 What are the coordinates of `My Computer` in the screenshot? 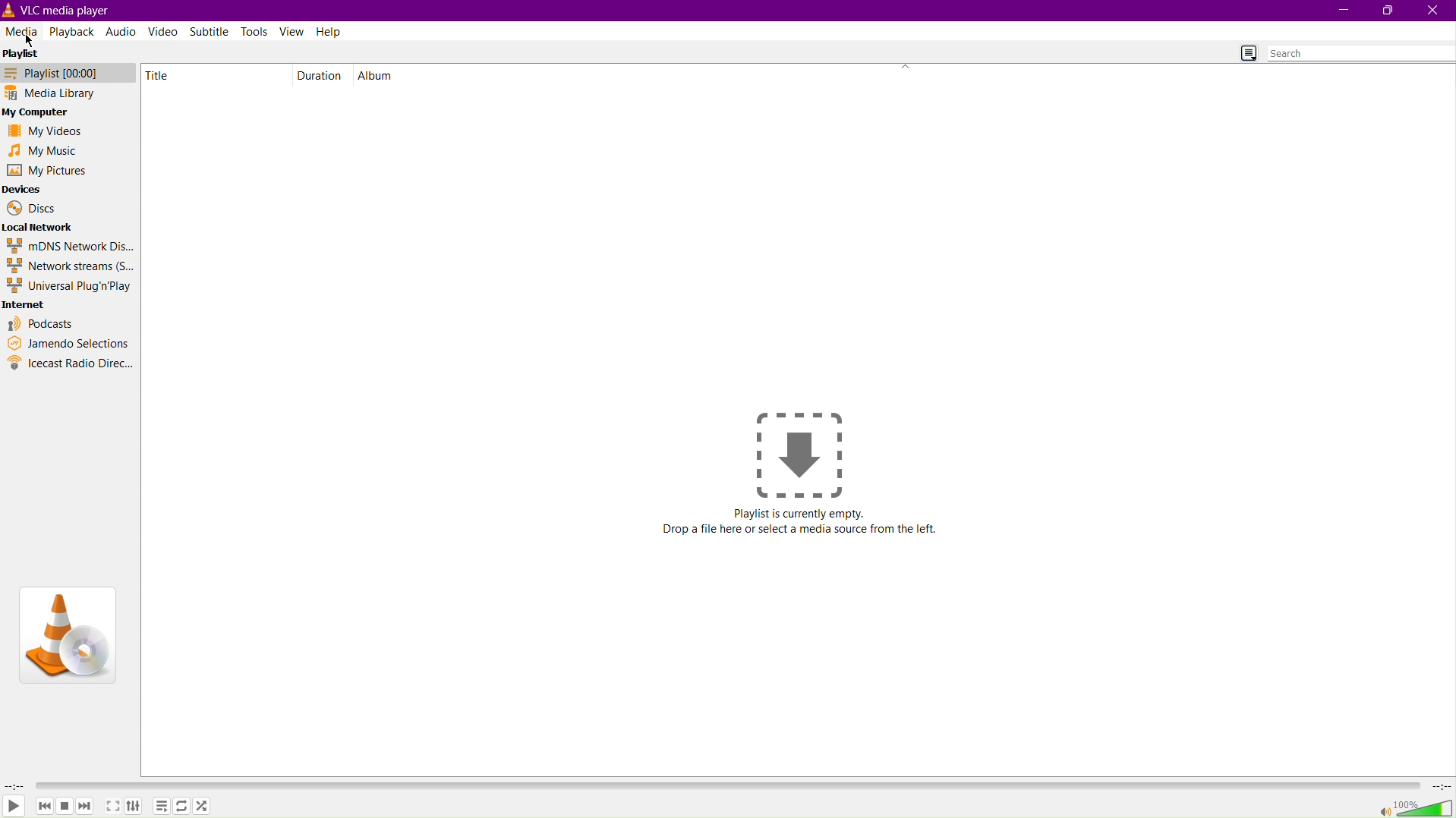 It's located at (41, 112).